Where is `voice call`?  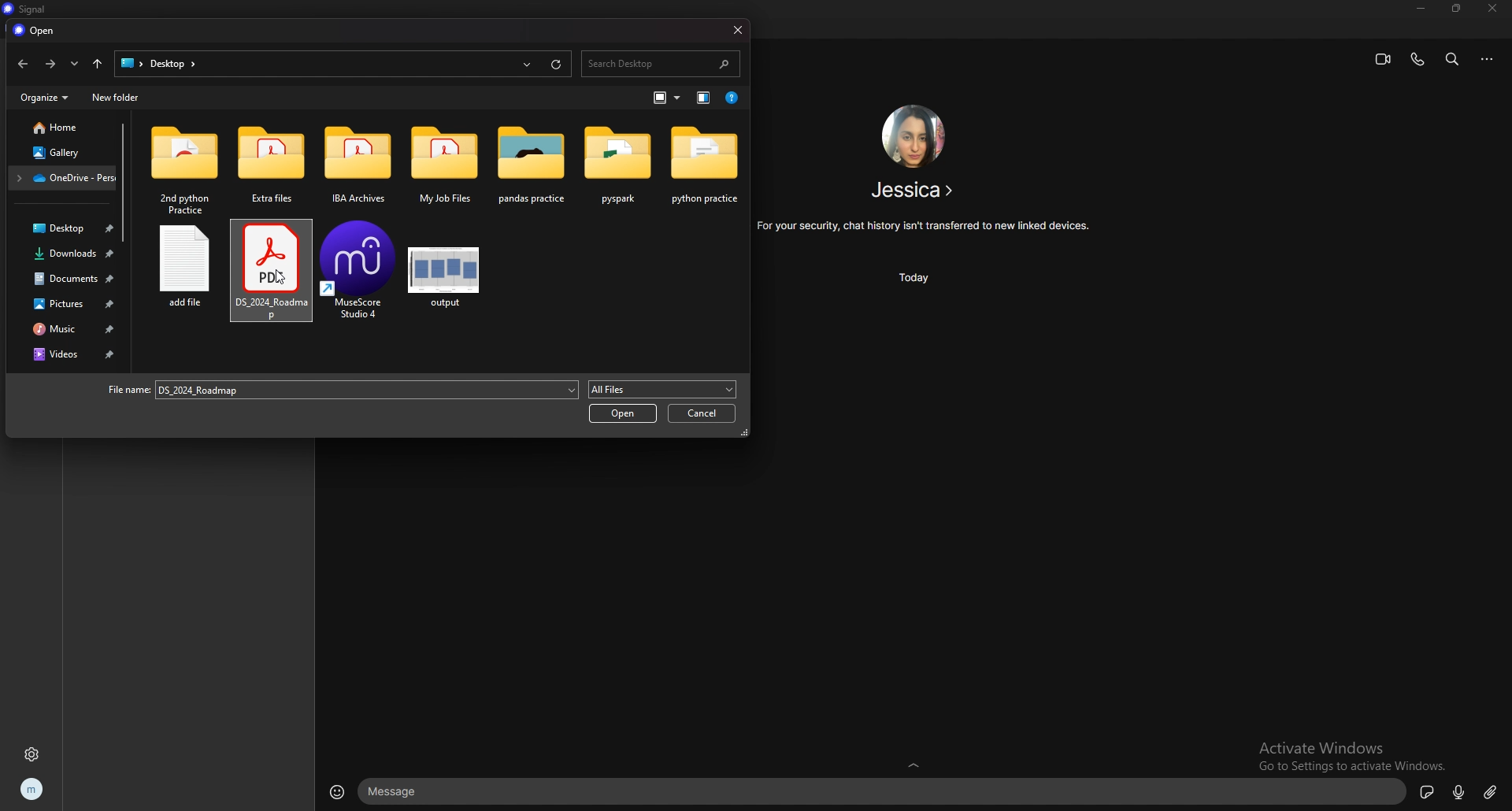
voice call is located at coordinates (1417, 59).